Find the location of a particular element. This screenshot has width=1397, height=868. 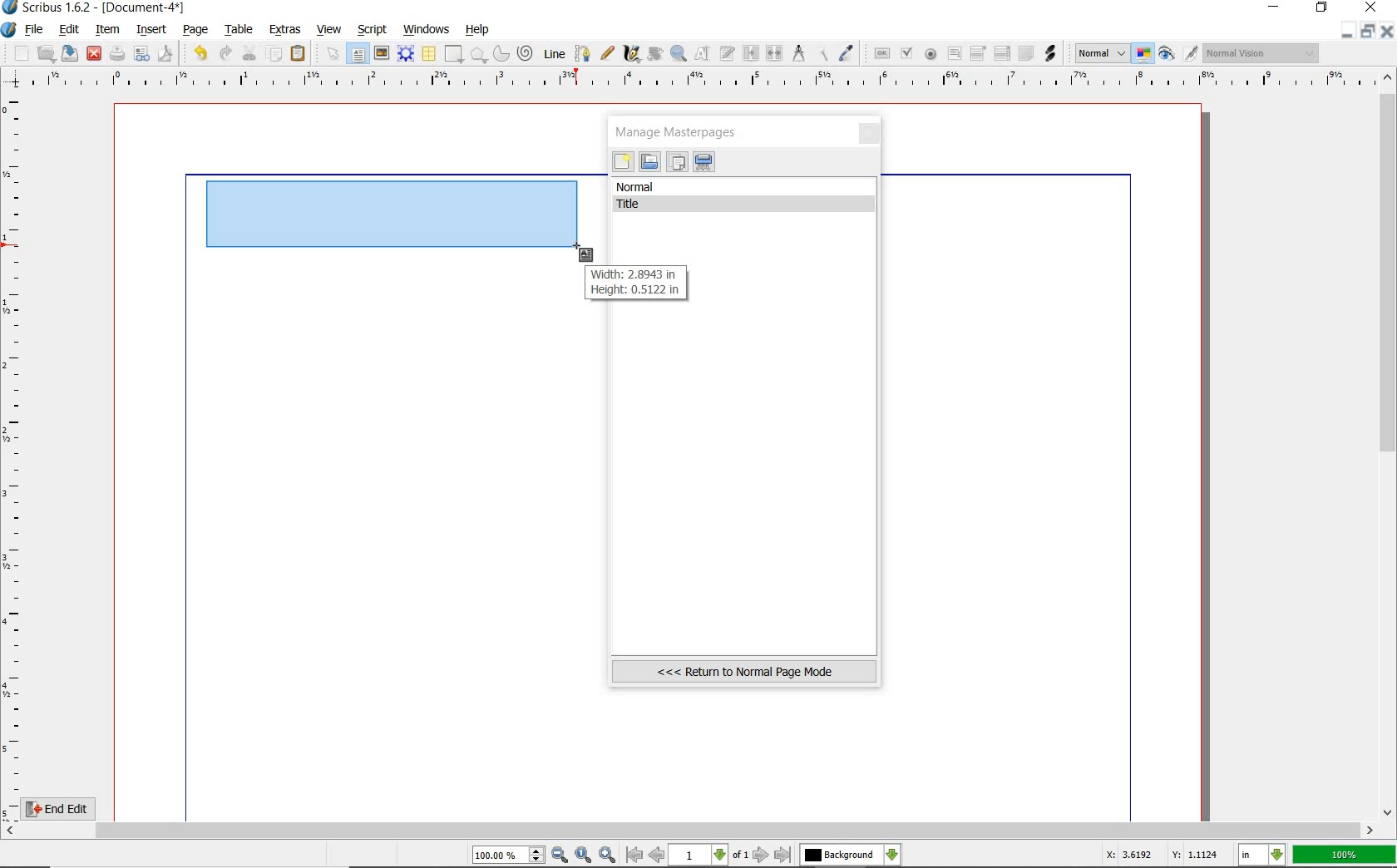

preview mode is located at coordinates (1179, 53).